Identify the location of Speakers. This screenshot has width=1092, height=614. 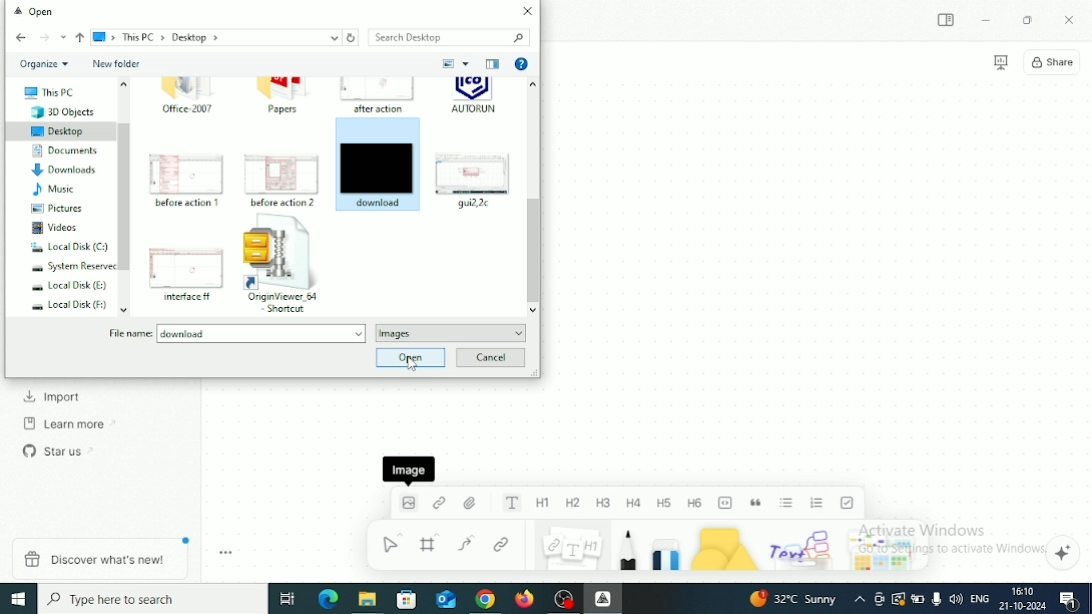
(955, 600).